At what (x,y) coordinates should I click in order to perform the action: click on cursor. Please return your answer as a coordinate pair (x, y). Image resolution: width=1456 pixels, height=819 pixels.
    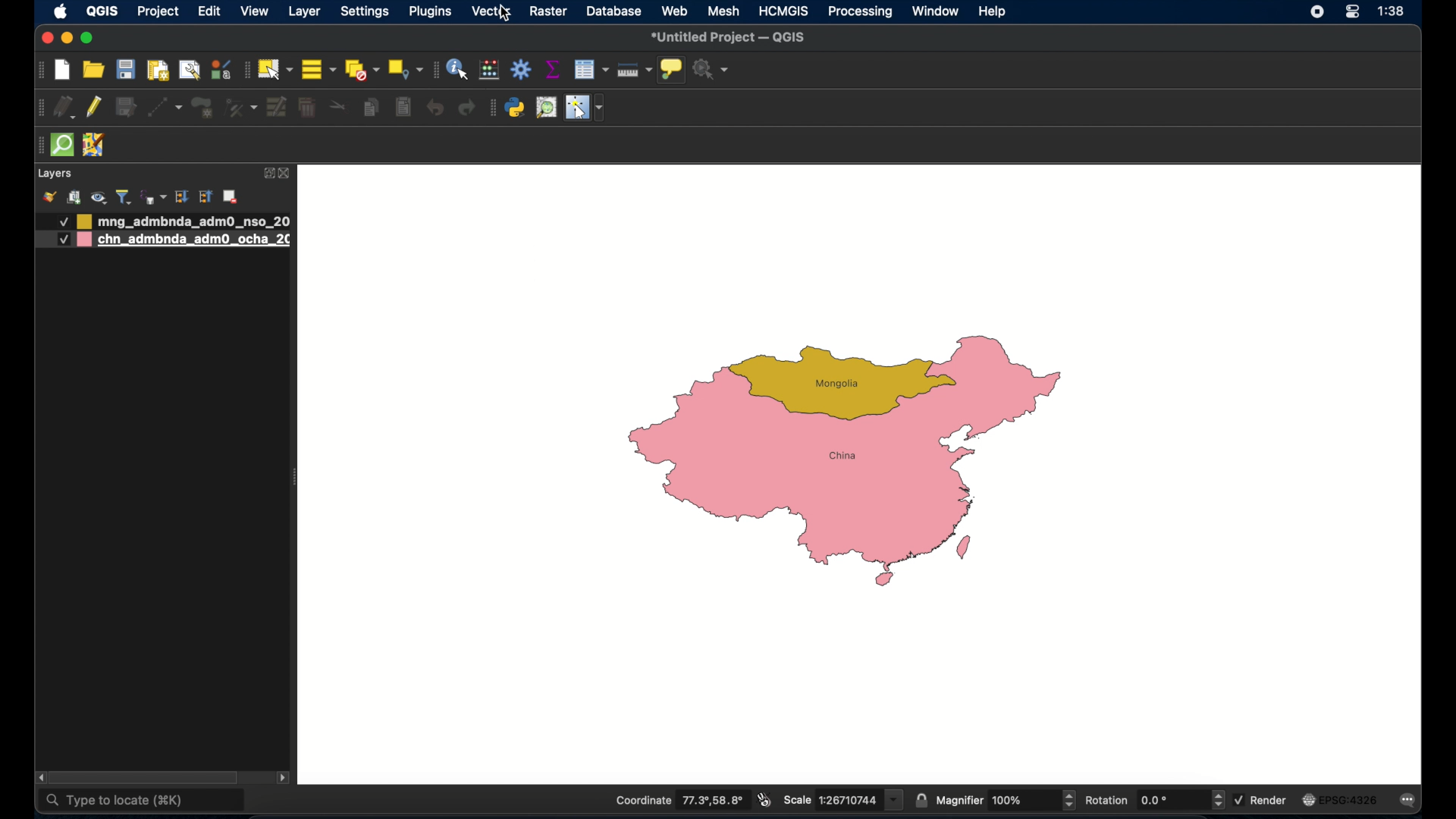
    Looking at the image, I should click on (504, 14).